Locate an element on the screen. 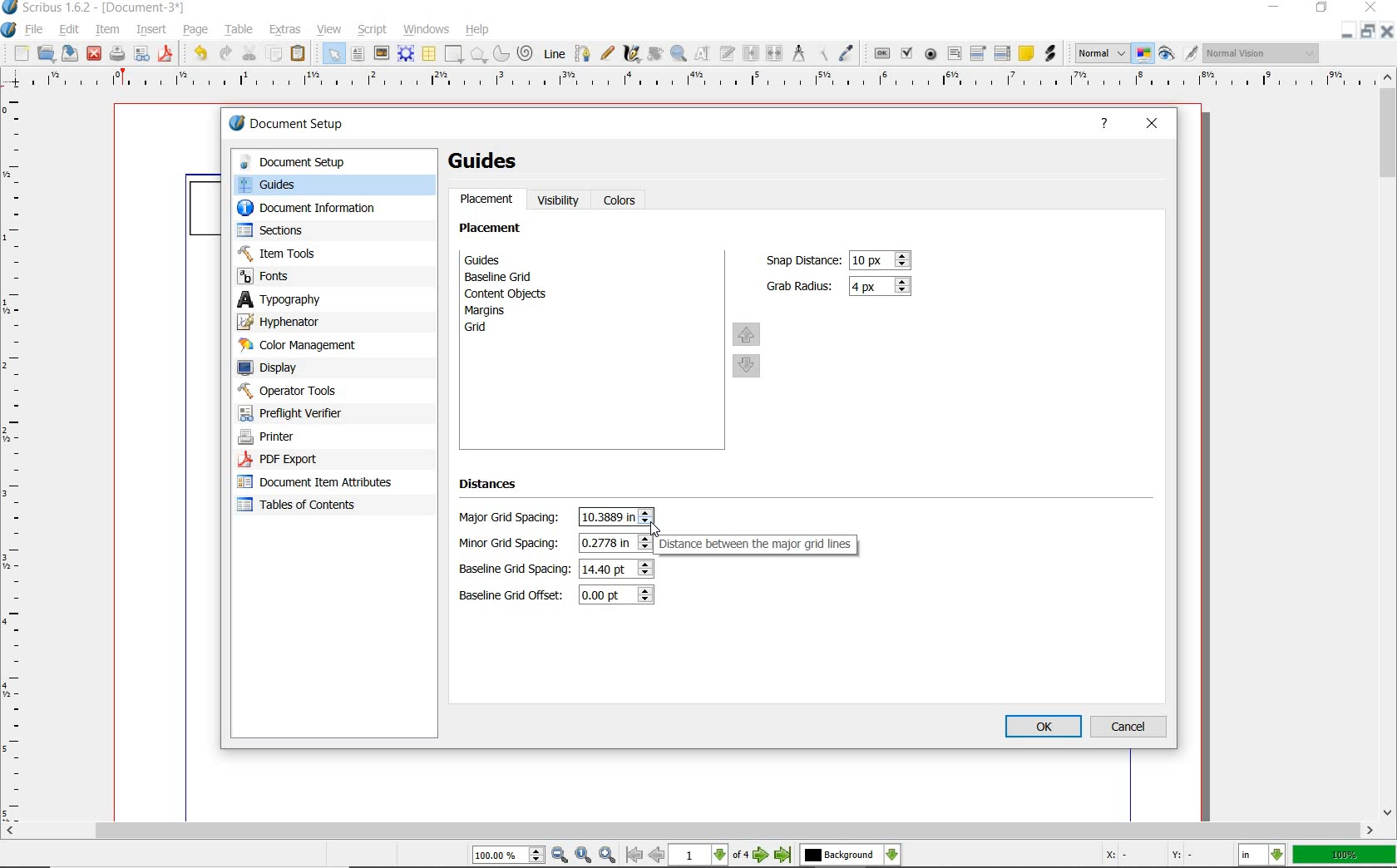 Image resolution: width=1397 pixels, height=868 pixels. Grab Radius: is located at coordinates (801, 284).